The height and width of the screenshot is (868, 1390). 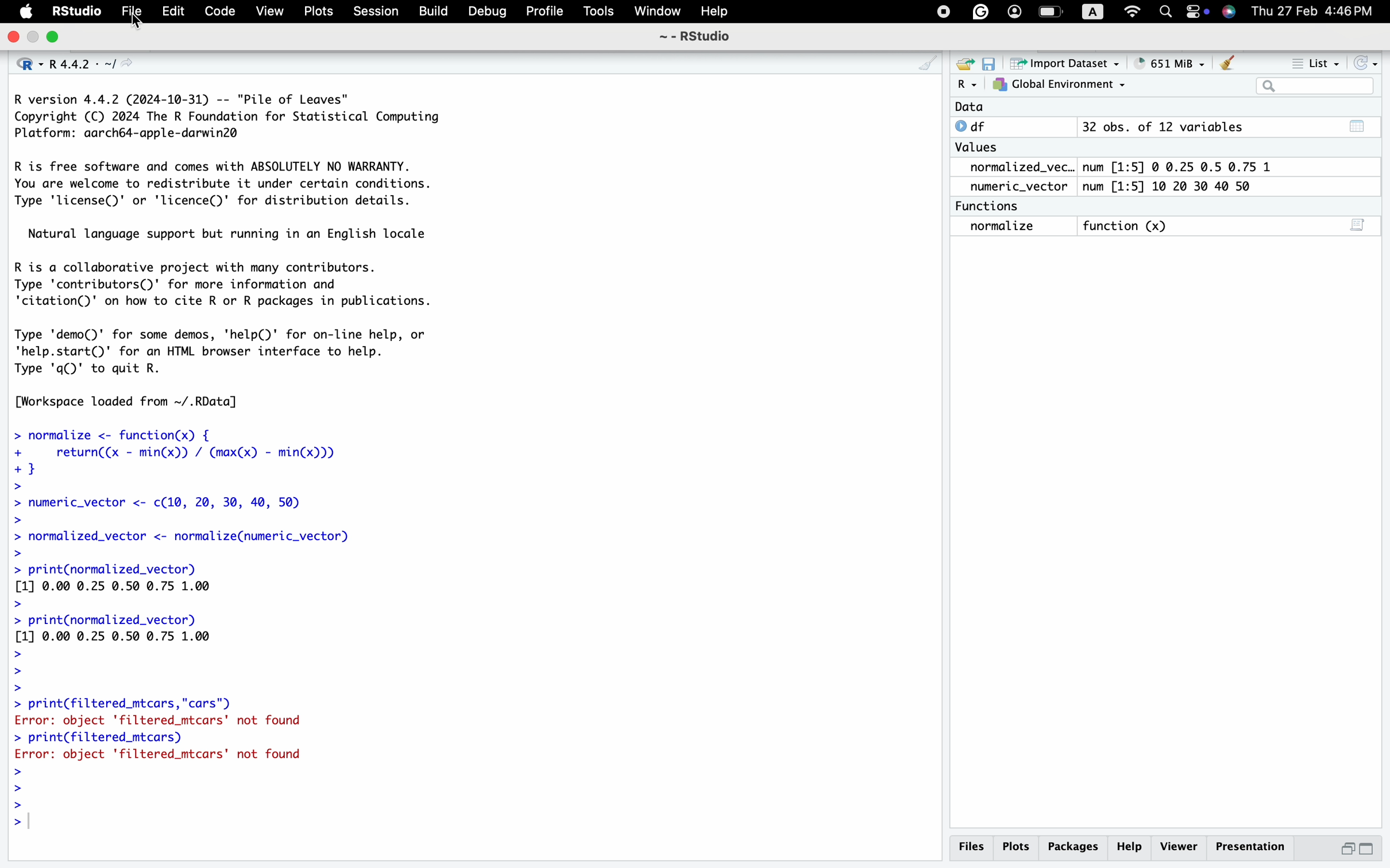 I want to click on Profile, so click(x=541, y=11).